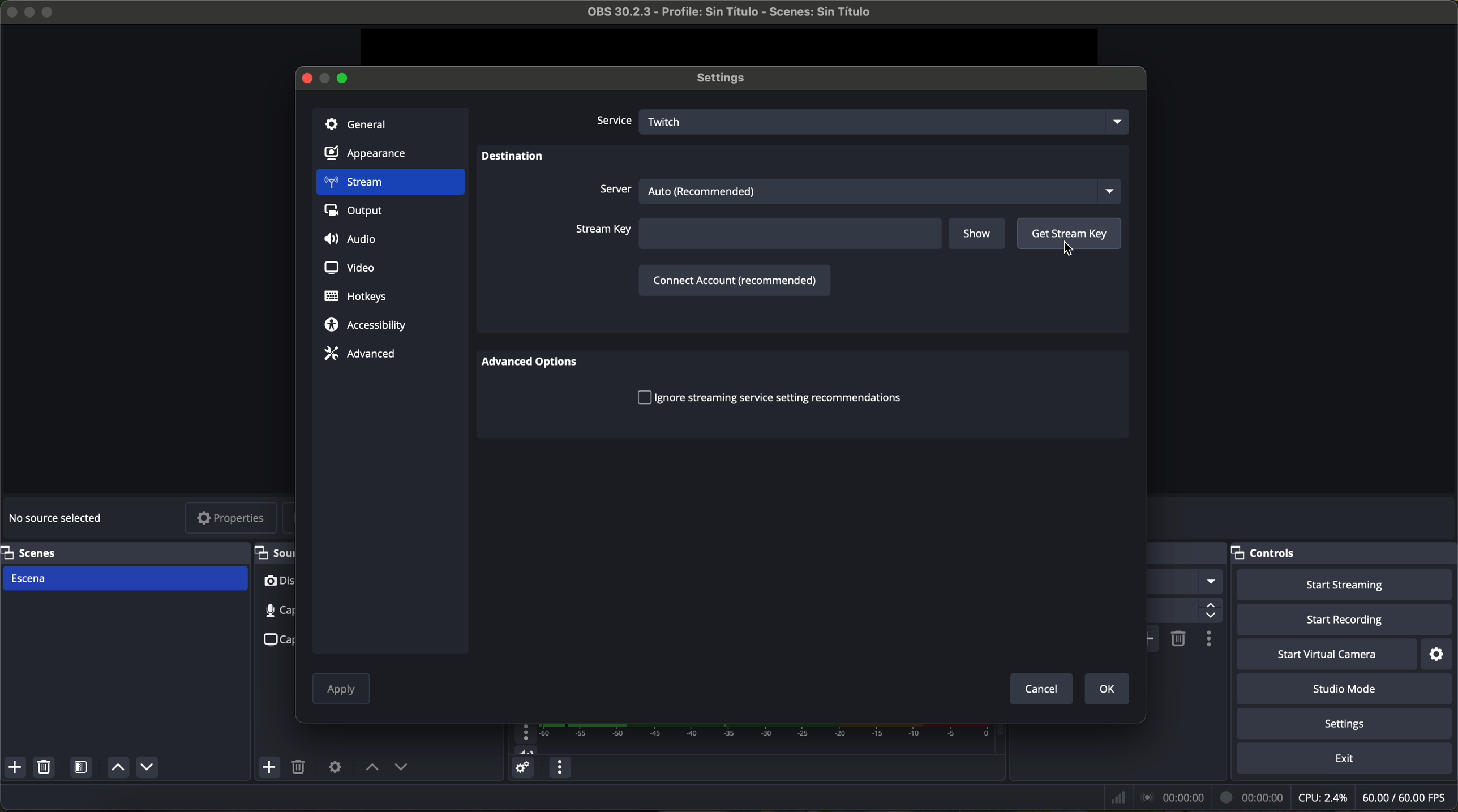 The image size is (1458, 812). Describe the element at coordinates (513, 158) in the screenshot. I see `destination` at that location.